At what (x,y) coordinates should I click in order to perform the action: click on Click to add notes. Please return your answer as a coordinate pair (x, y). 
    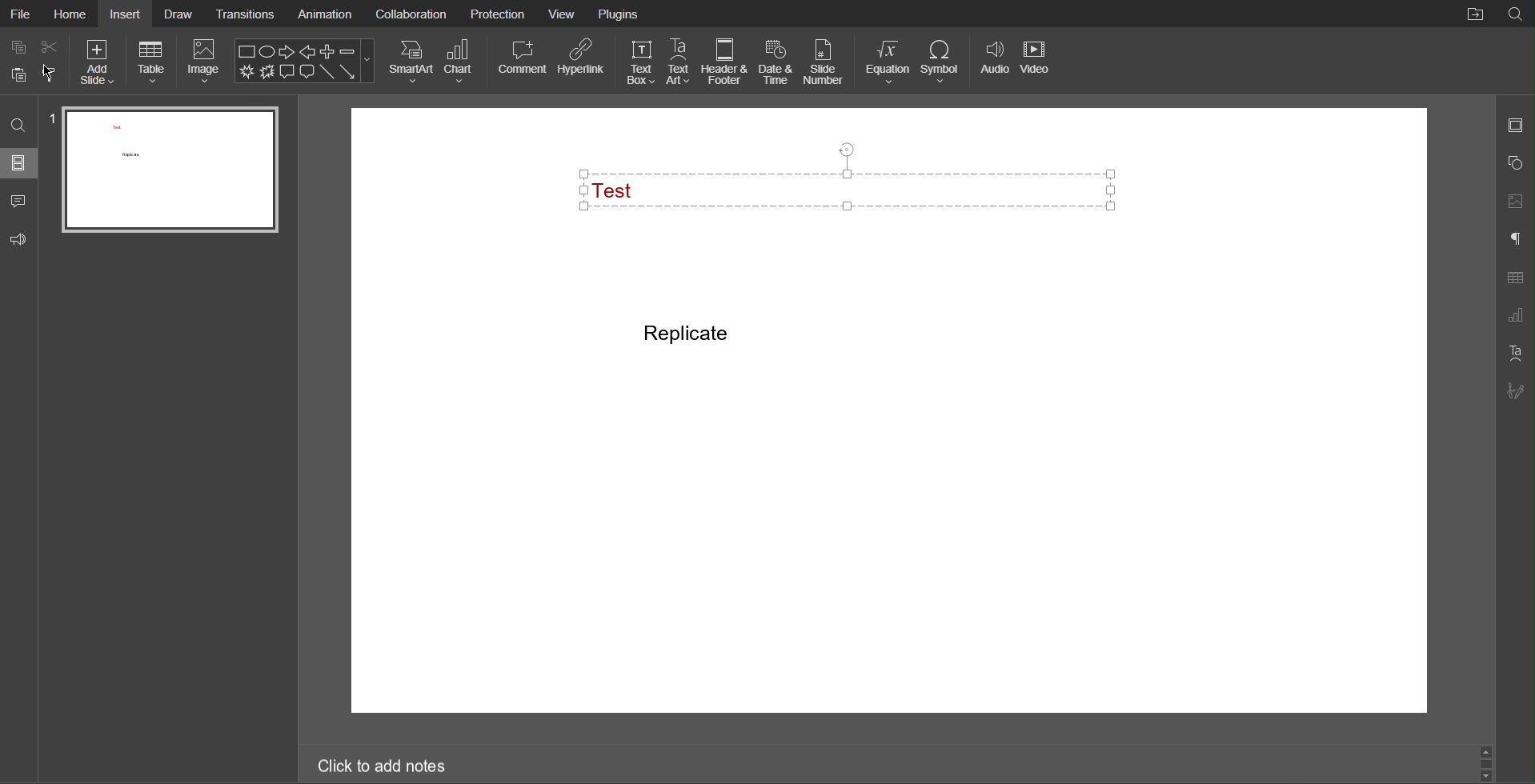
    Looking at the image, I should click on (383, 767).